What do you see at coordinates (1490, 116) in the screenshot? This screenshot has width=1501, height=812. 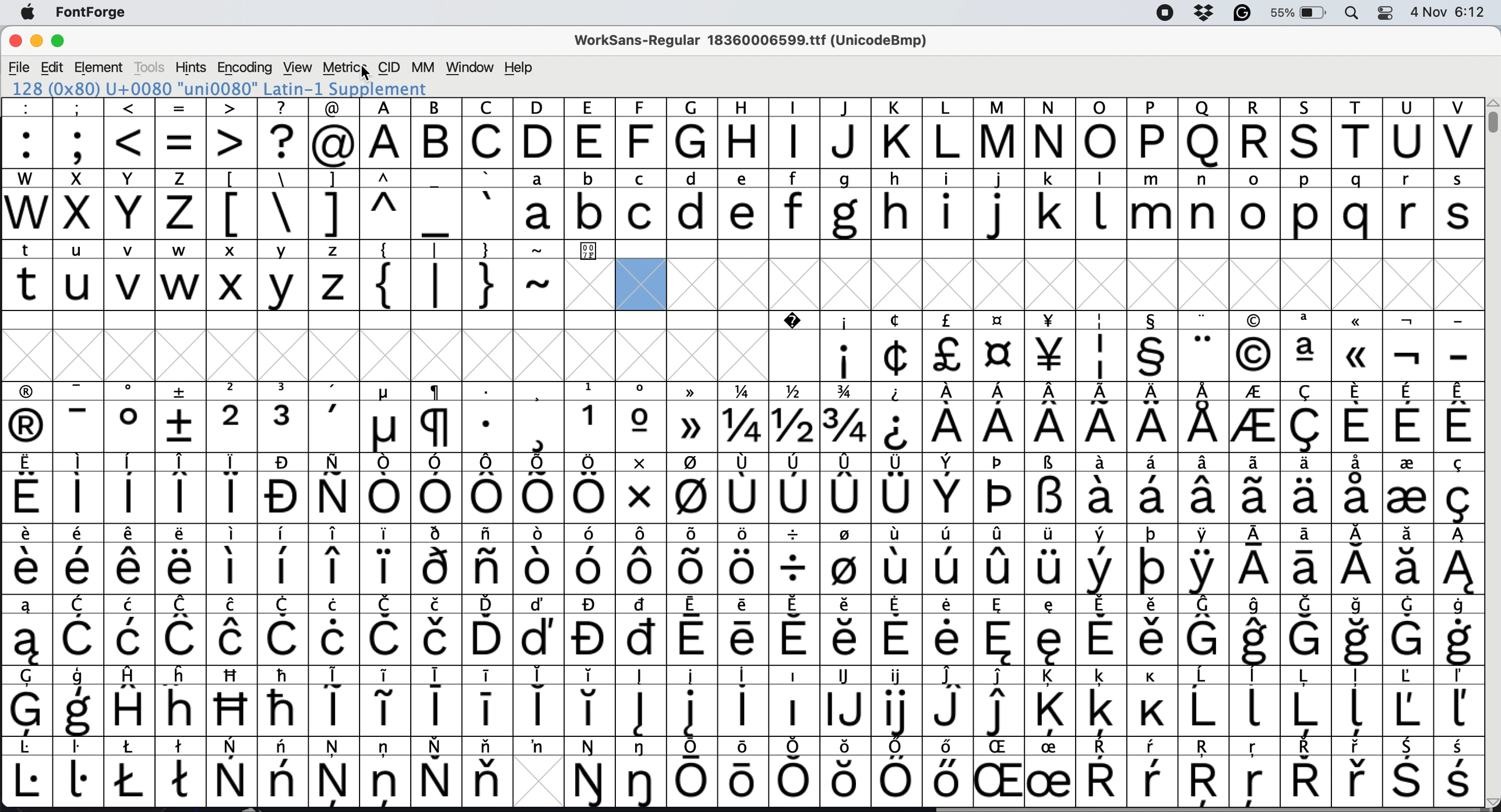 I see `vertical scroll bar` at bounding box center [1490, 116].